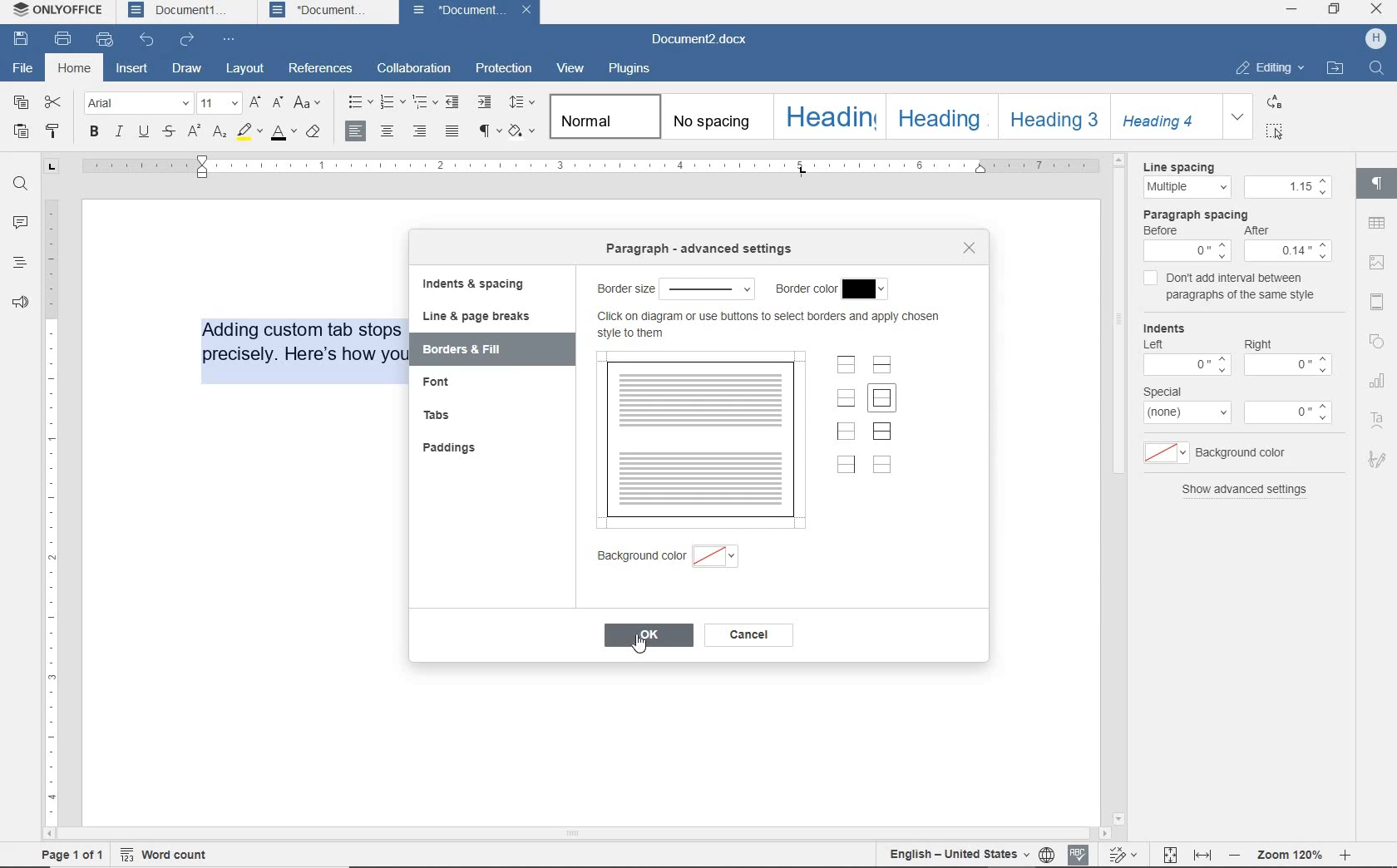 The height and width of the screenshot is (868, 1397). I want to click on indents & spacing, so click(474, 285).